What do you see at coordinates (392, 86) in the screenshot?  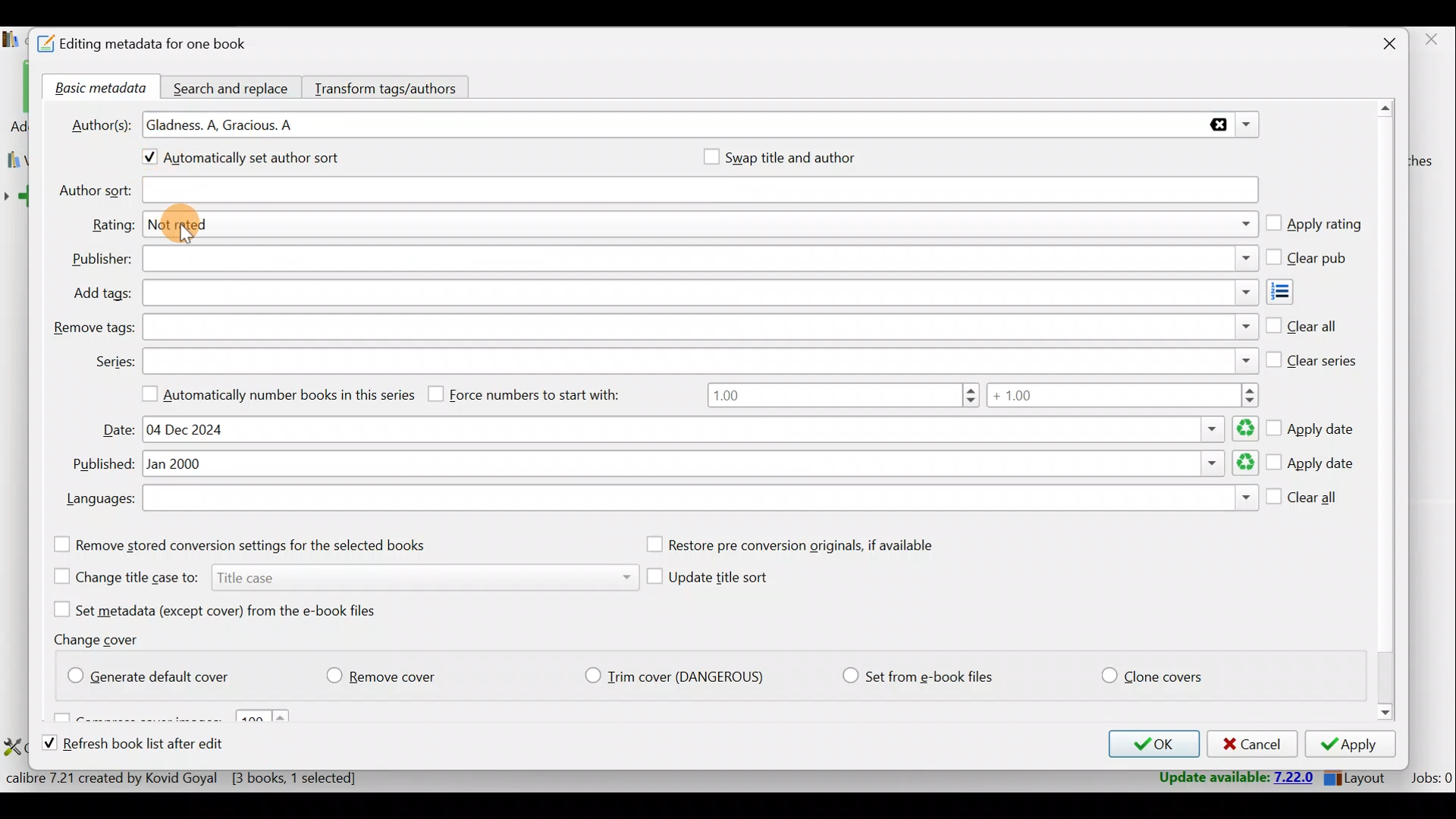 I see `Transform tags/authors` at bounding box center [392, 86].